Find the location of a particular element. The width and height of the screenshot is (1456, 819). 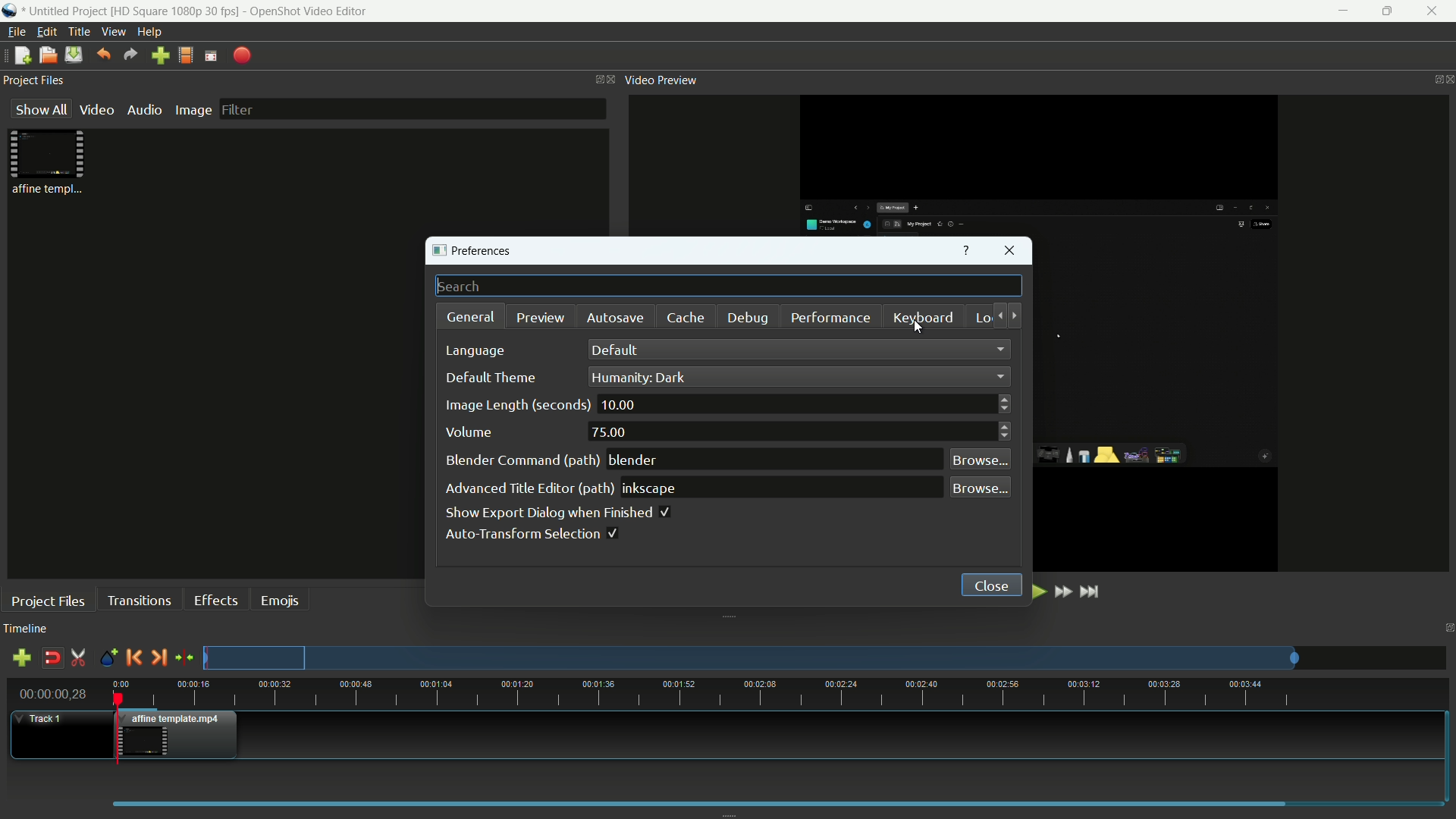

inkspace is located at coordinates (648, 489).